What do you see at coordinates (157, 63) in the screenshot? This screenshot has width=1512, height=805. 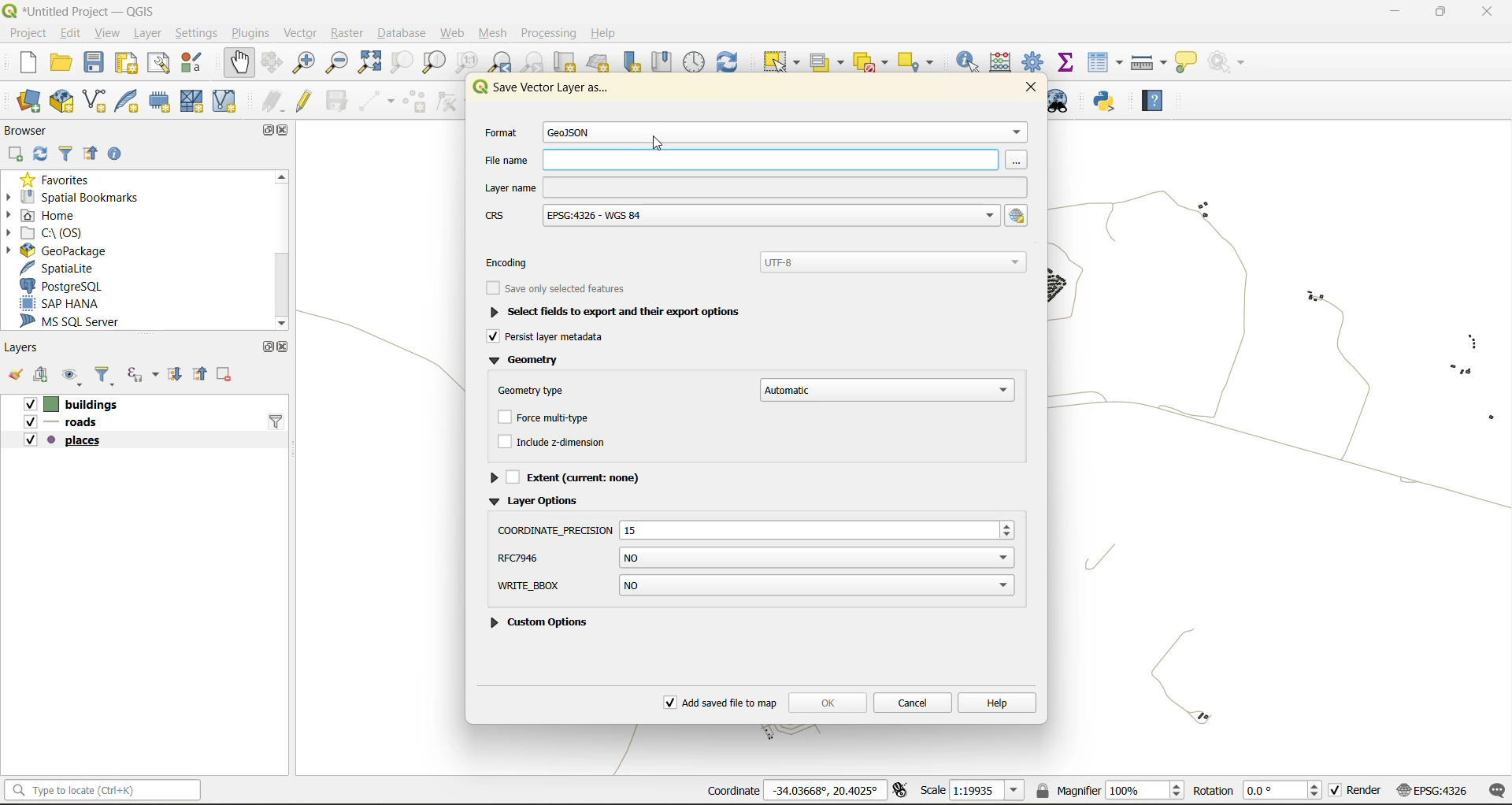 I see `show layout` at bounding box center [157, 63].